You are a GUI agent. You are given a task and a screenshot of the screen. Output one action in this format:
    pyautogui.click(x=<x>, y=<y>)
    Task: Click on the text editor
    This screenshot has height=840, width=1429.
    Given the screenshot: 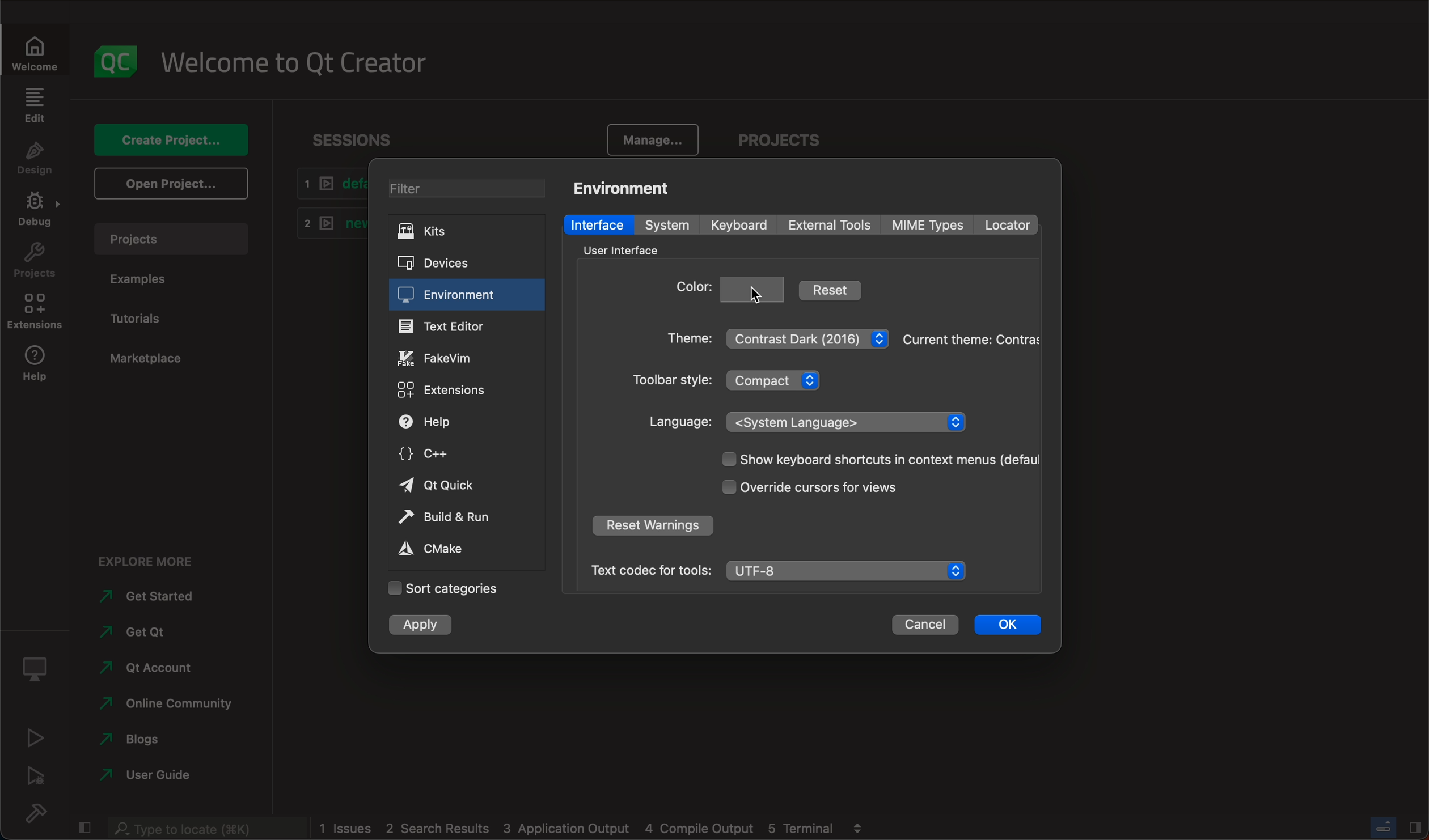 What is the action you would take?
    pyautogui.click(x=467, y=325)
    